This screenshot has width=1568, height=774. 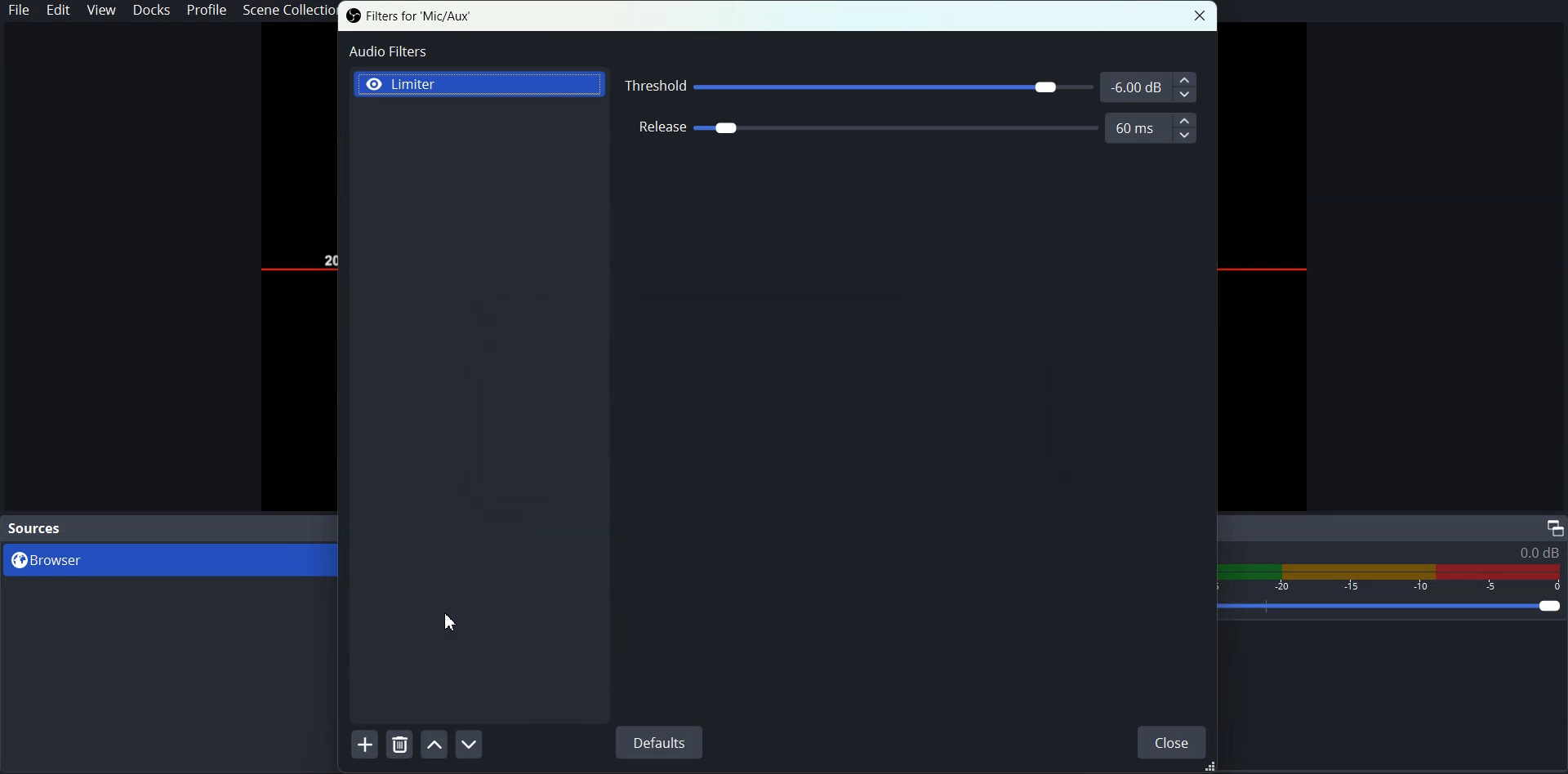 I want to click on File, so click(x=19, y=11).